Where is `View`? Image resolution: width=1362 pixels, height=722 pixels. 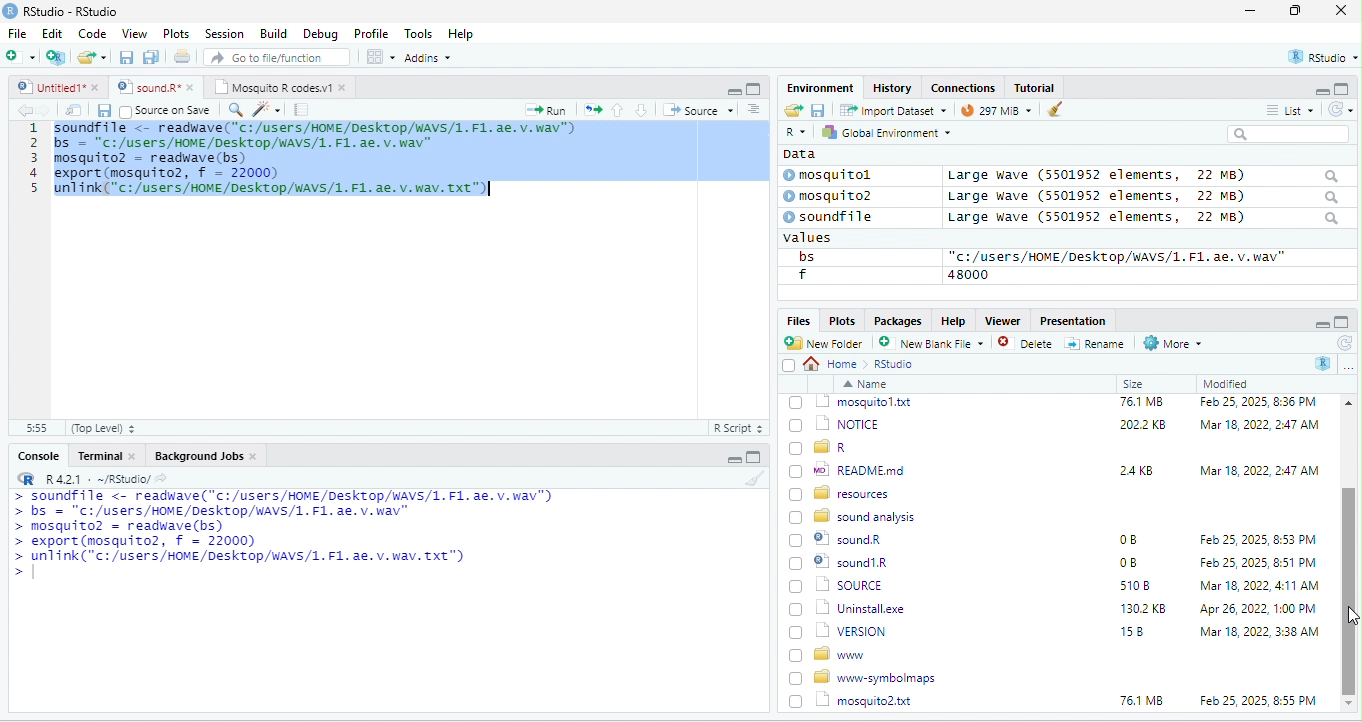
View is located at coordinates (133, 35).